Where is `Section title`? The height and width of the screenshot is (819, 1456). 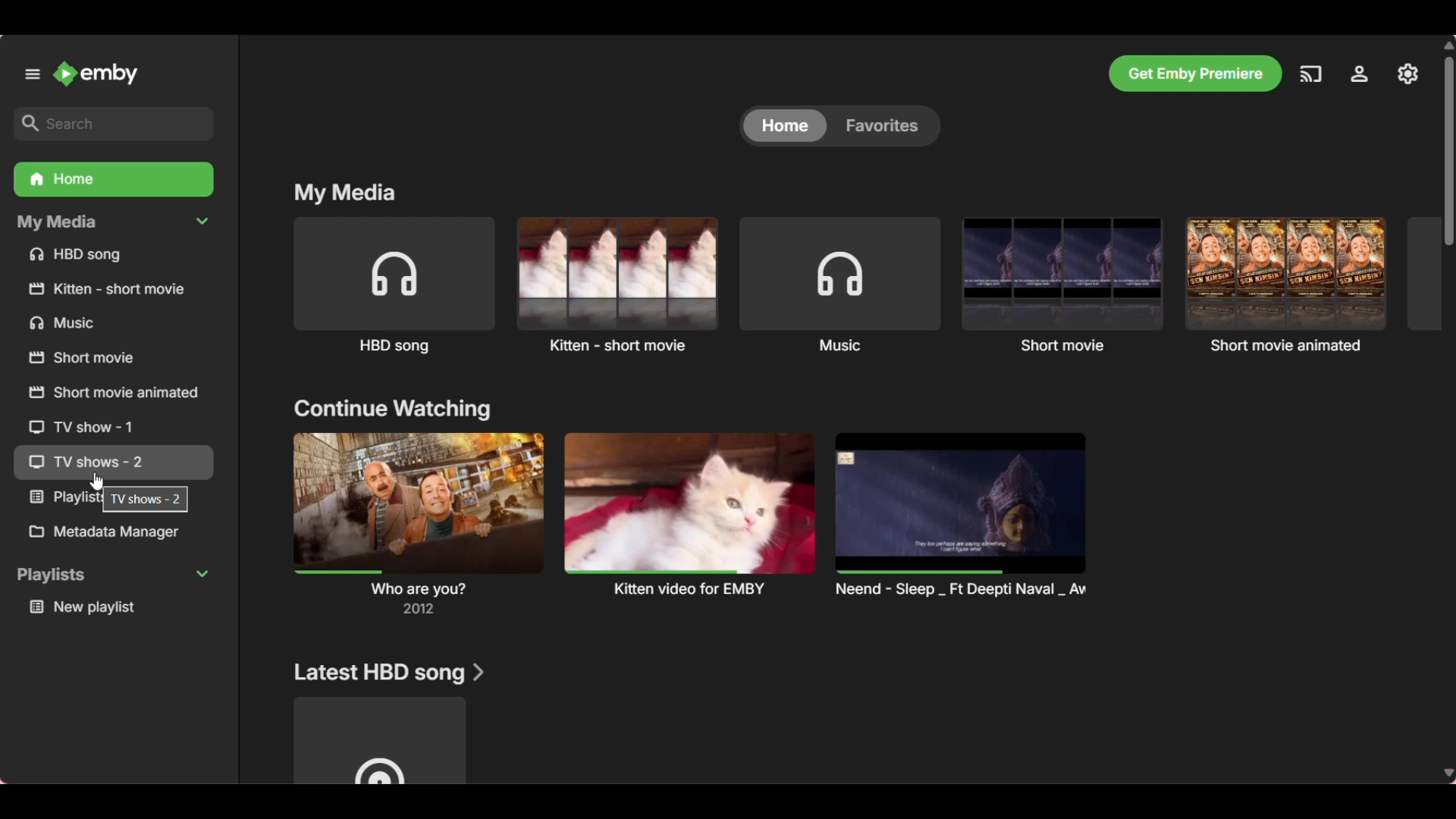
Section title is located at coordinates (388, 673).